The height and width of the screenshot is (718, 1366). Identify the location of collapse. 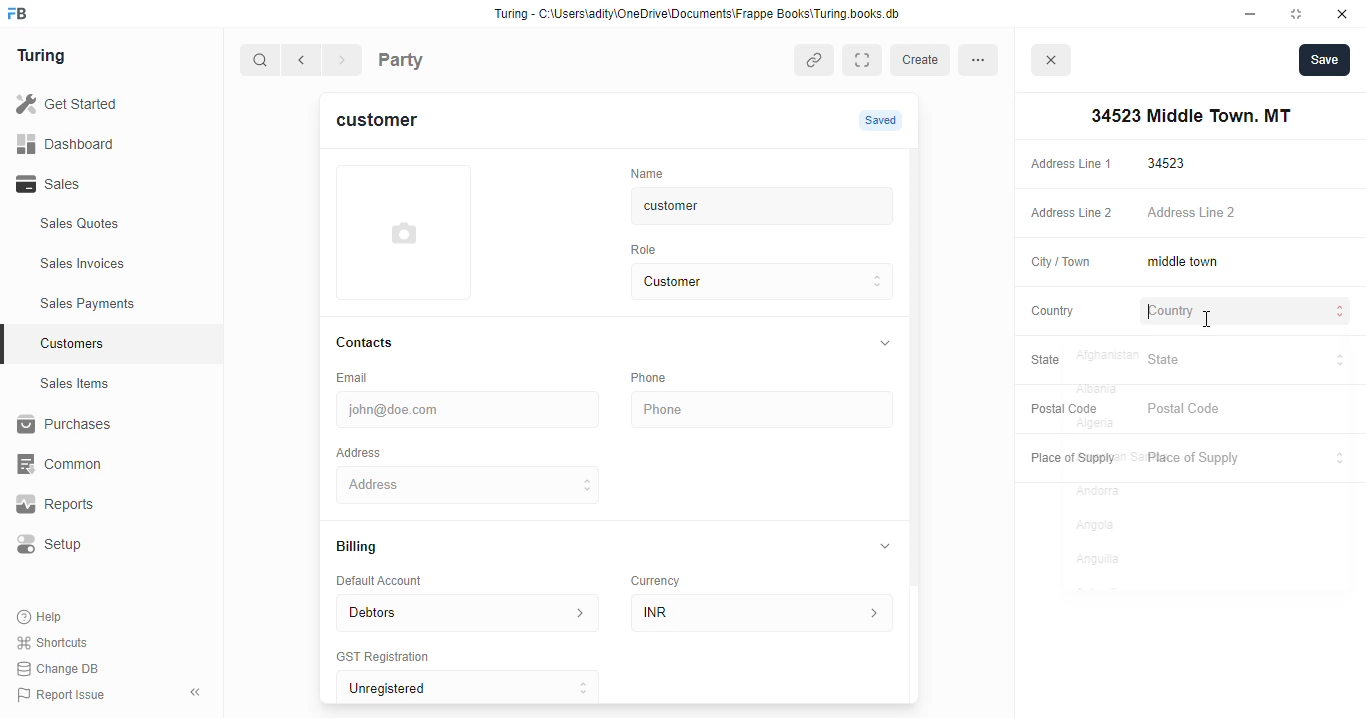
(883, 344).